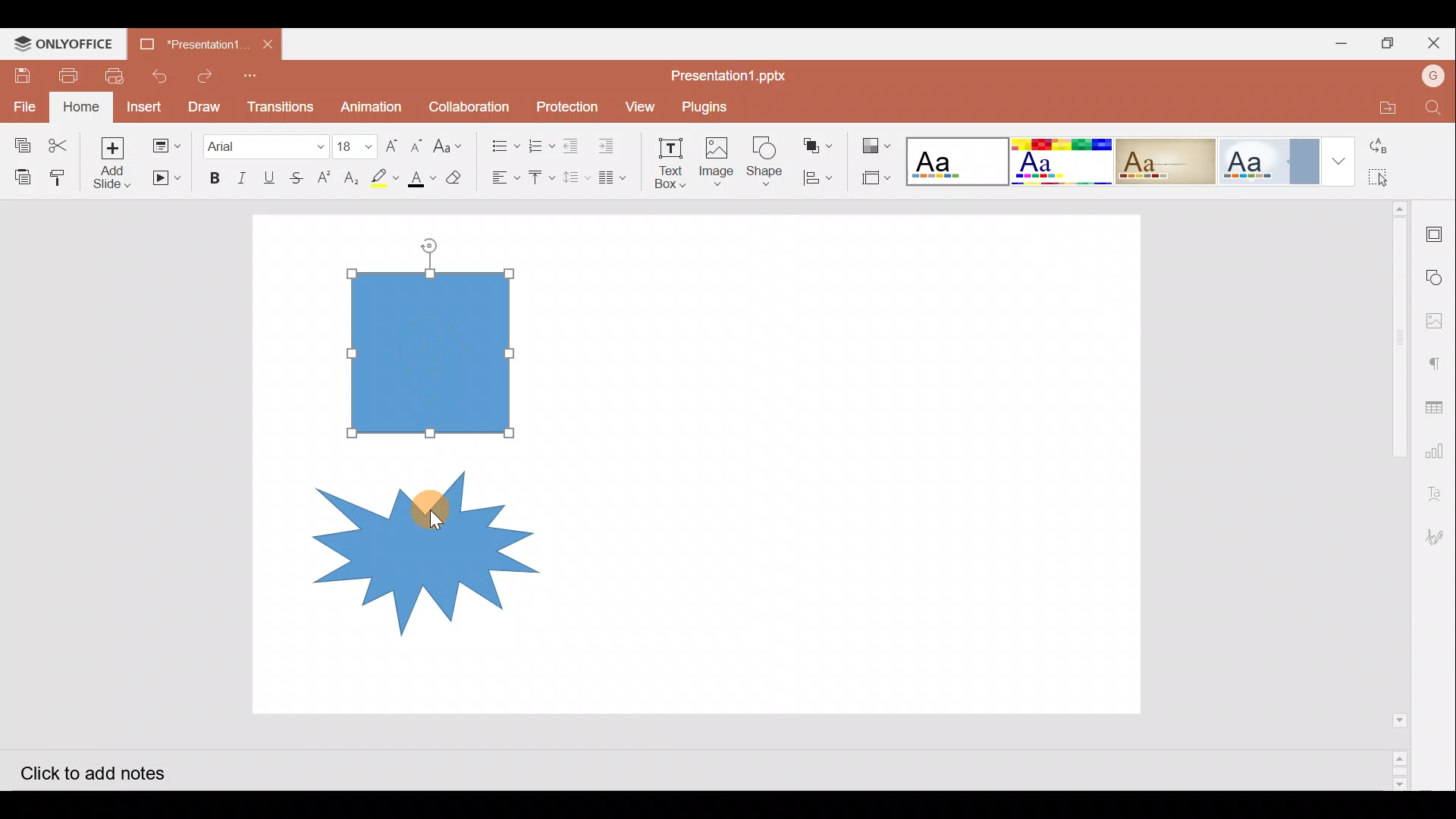 The height and width of the screenshot is (819, 1456). Describe the element at coordinates (1438, 360) in the screenshot. I see `Paragraph settings` at that location.